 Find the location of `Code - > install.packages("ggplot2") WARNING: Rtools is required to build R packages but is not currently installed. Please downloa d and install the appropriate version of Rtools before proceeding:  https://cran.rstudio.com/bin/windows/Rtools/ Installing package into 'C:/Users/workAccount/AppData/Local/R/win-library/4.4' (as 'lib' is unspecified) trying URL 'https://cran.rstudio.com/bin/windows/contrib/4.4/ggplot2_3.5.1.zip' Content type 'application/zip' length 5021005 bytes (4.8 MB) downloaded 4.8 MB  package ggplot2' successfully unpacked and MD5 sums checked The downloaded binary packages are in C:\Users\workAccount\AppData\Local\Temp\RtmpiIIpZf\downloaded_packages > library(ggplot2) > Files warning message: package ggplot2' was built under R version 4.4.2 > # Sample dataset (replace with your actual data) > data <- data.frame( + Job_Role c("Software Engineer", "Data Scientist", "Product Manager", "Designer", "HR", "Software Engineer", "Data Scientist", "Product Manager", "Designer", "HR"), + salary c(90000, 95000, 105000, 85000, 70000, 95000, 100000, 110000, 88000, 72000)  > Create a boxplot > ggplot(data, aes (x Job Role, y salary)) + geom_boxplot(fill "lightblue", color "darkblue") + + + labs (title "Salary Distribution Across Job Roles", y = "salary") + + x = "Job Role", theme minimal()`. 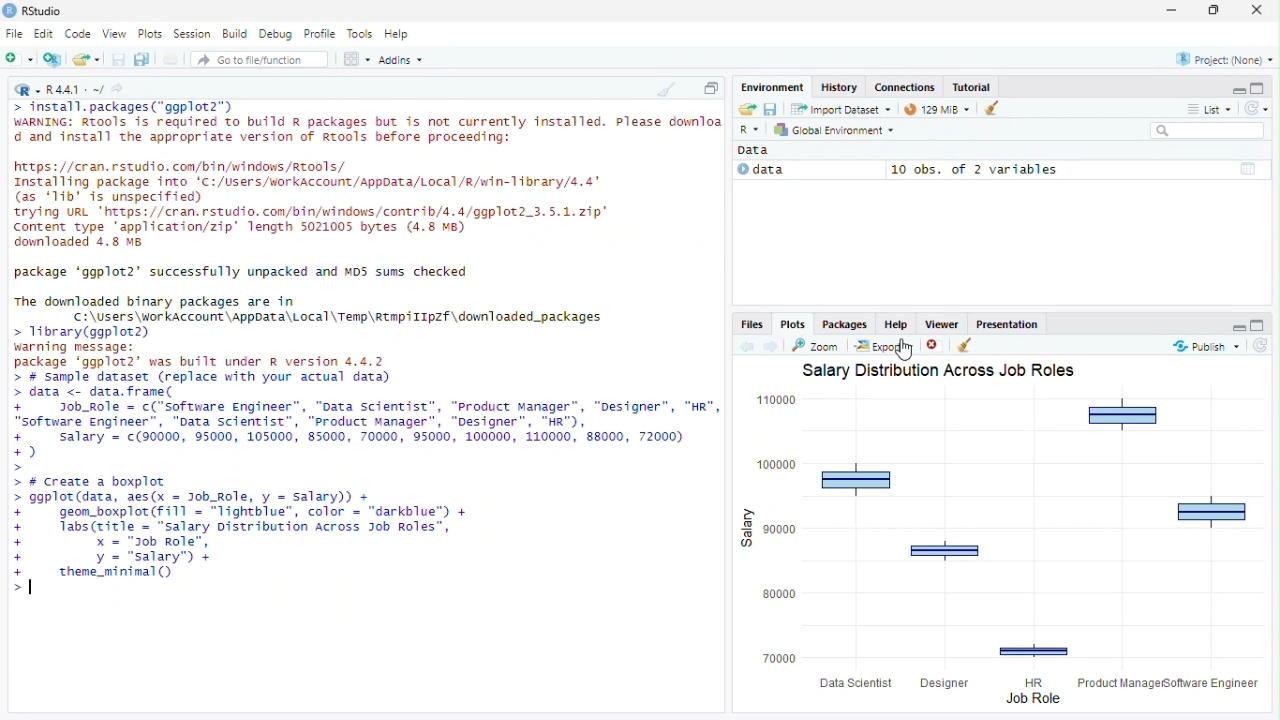

Code - > install.packages("ggplot2") WARNING: Rtools is required to build R packages but is not currently installed. Please downloa d and install the appropriate version of Rtools before proceeding:  https://cran.rstudio.com/bin/windows/Rtools/ Installing package into 'C:/Users/workAccount/AppData/Local/R/win-library/4.4' (as 'lib' is unspecified) trying URL 'https://cran.rstudio.com/bin/windows/contrib/4.4/ggplot2_3.5.1.zip' Content type 'application/zip' length 5021005 bytes (4.8 MB) downloaded 4.8 MB  package ggplot2' successfully unpacked and MD5 sums checked The downloaded binary packages are in C:\Users\workAccount\AppData\Local\Temp\RtmpiIIpZf\downloaded_packages > library(ggplot2) > Files warning message: package ggplot2' was built under R version 4.4.2 > # Sample dataset (replace with your actual data) > data <- data.frame( + Job_Role c("Software Engineer", "Data Scientist", "Product Manager", "Designer", "HR", "Software Engineer", "Data Scientist", "Product Manager", "Designer", "HR"), + salary c(90000, 95000, 105000, 85000, 70000, 95000, 100000, 110000, 88000, 72000)  > Create a boxplot > ggplot(data, aes (x Job Role, y salary)) + geom_boxplot(fill "lightblue", color "darkblue") + + + labs (title "Salary Distribution Across Job Roles", y = "salary") + + x = "Job Role", theme minimal() is located at coordinates (365, 354).